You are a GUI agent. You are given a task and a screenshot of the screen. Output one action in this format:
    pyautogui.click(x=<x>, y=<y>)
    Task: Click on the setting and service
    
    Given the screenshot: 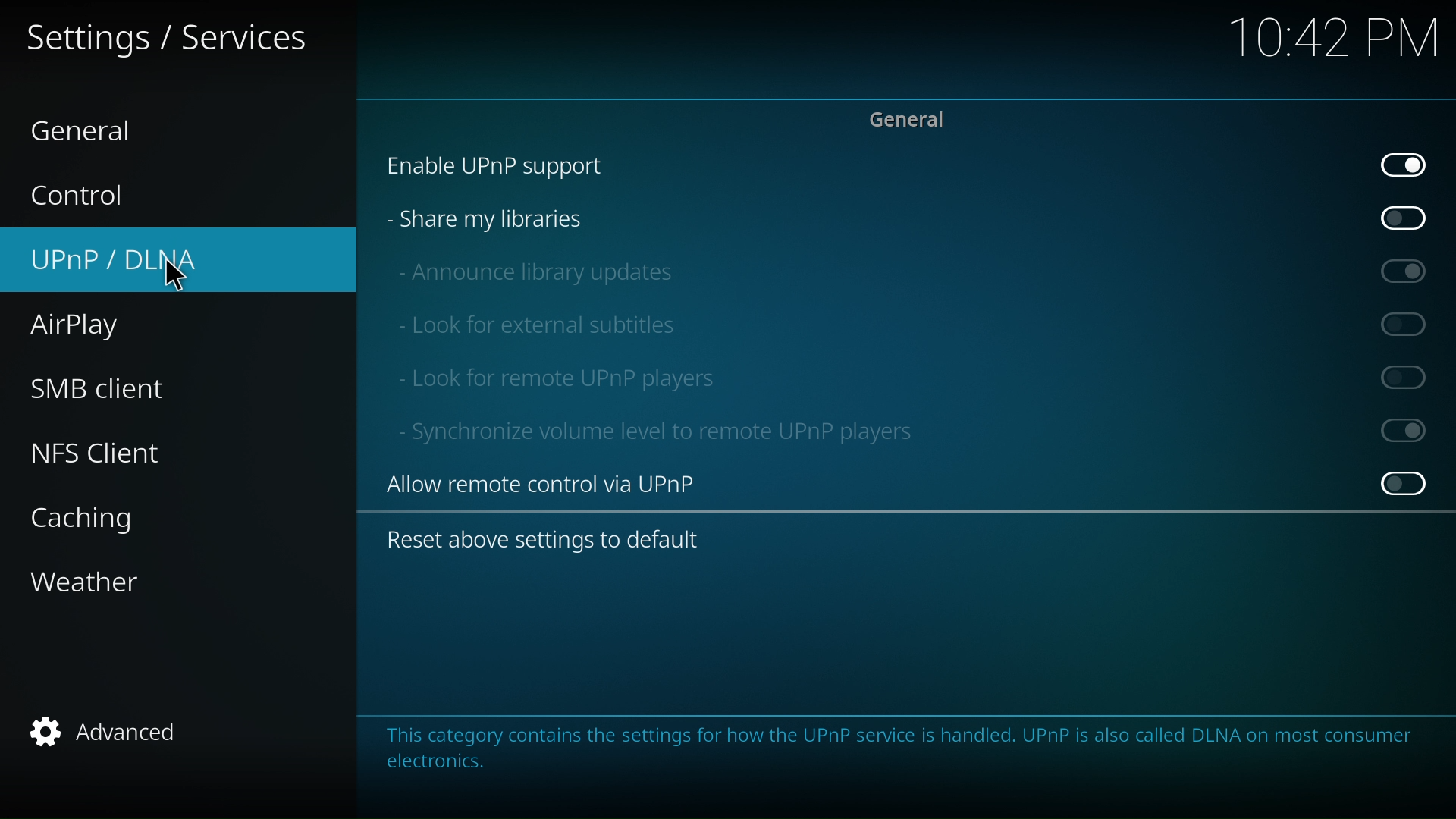 What is the action you would take?
    pyautogui.click(x=169, y=39)
    